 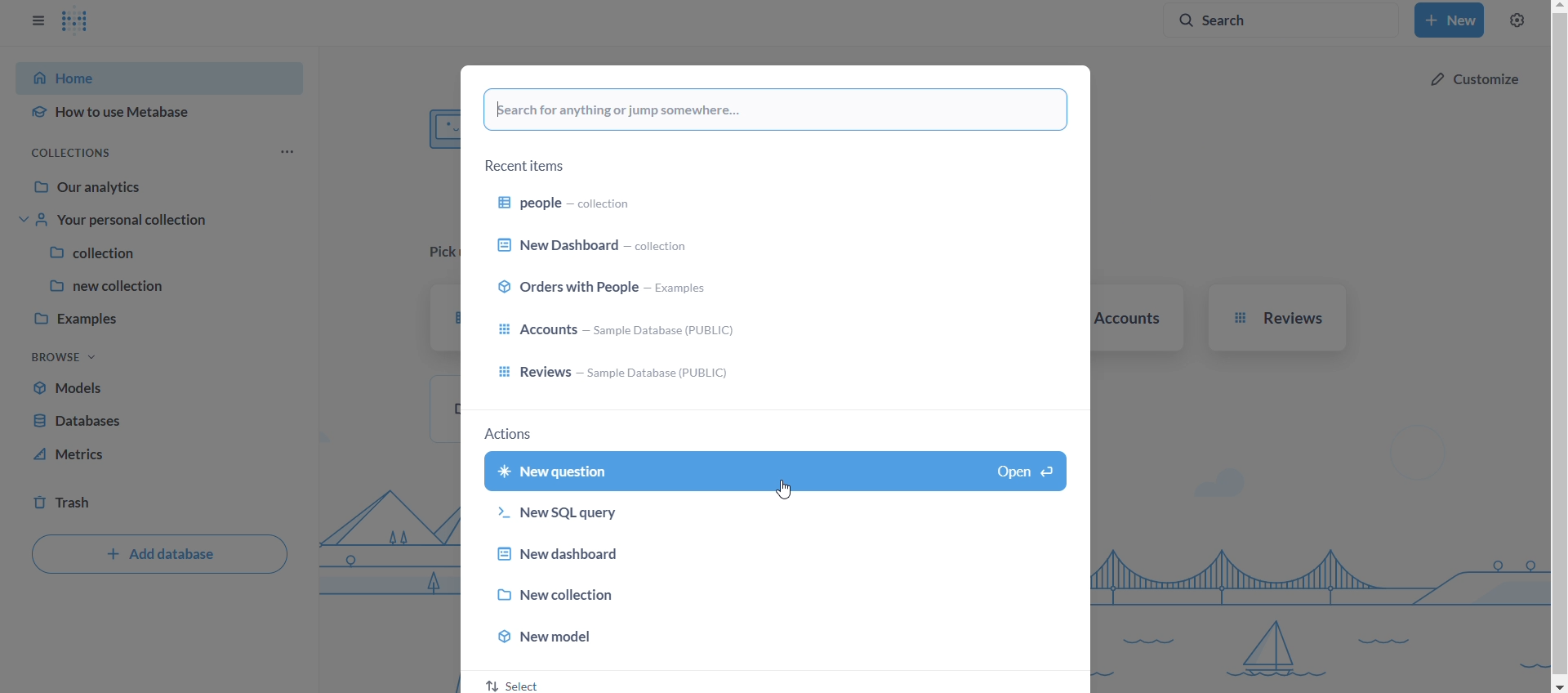 What do you see at coordinates (1473, 78) in the screenshot?
I see `cutomize` at bounding box center [1473, 78].